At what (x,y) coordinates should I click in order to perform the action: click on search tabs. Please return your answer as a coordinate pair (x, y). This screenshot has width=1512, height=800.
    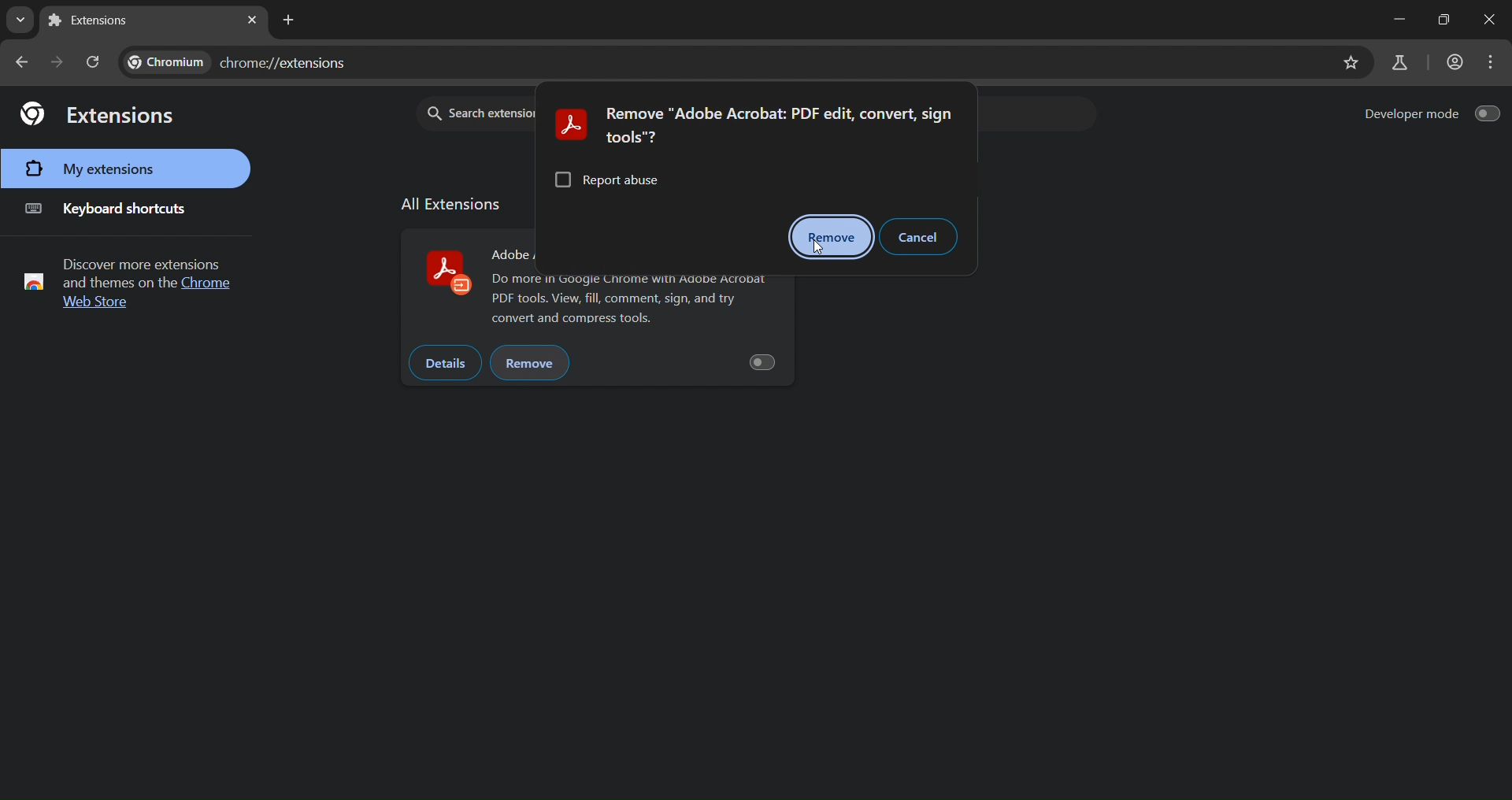
    Looking at the image, I should click on (19, 22).